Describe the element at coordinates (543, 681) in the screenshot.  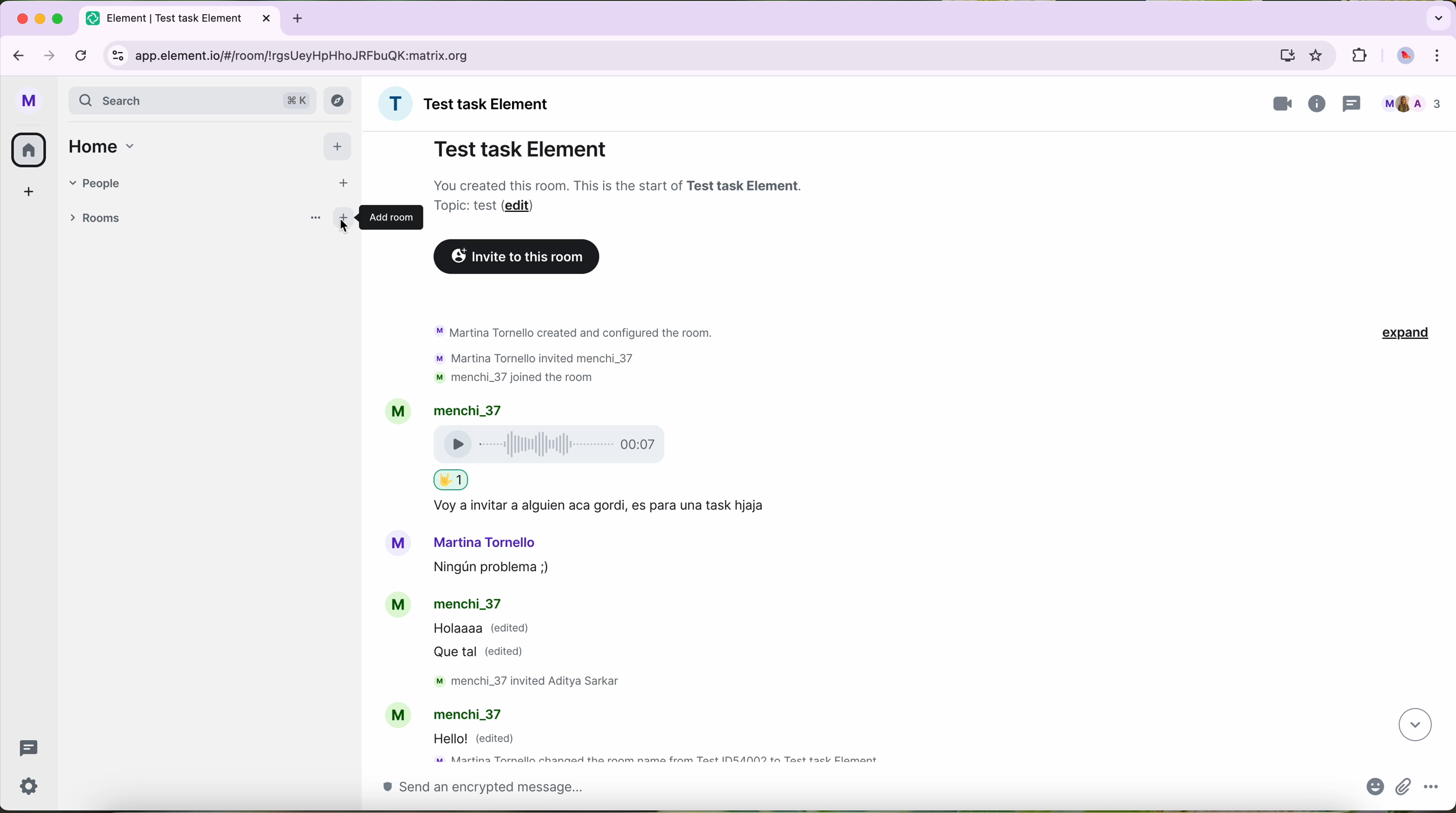
I see `text` at that location.